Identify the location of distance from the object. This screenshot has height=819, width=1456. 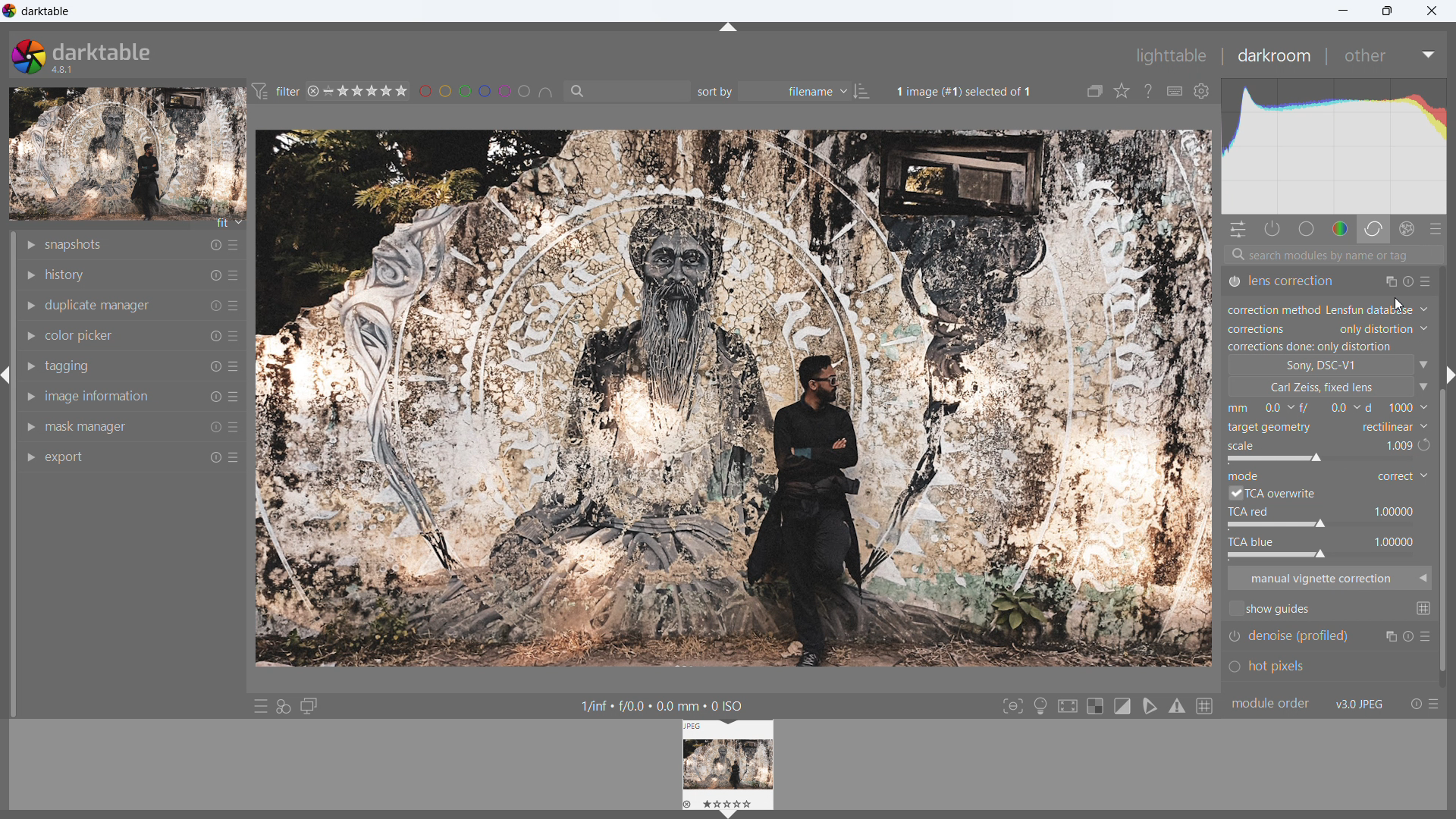
(1329, 409).